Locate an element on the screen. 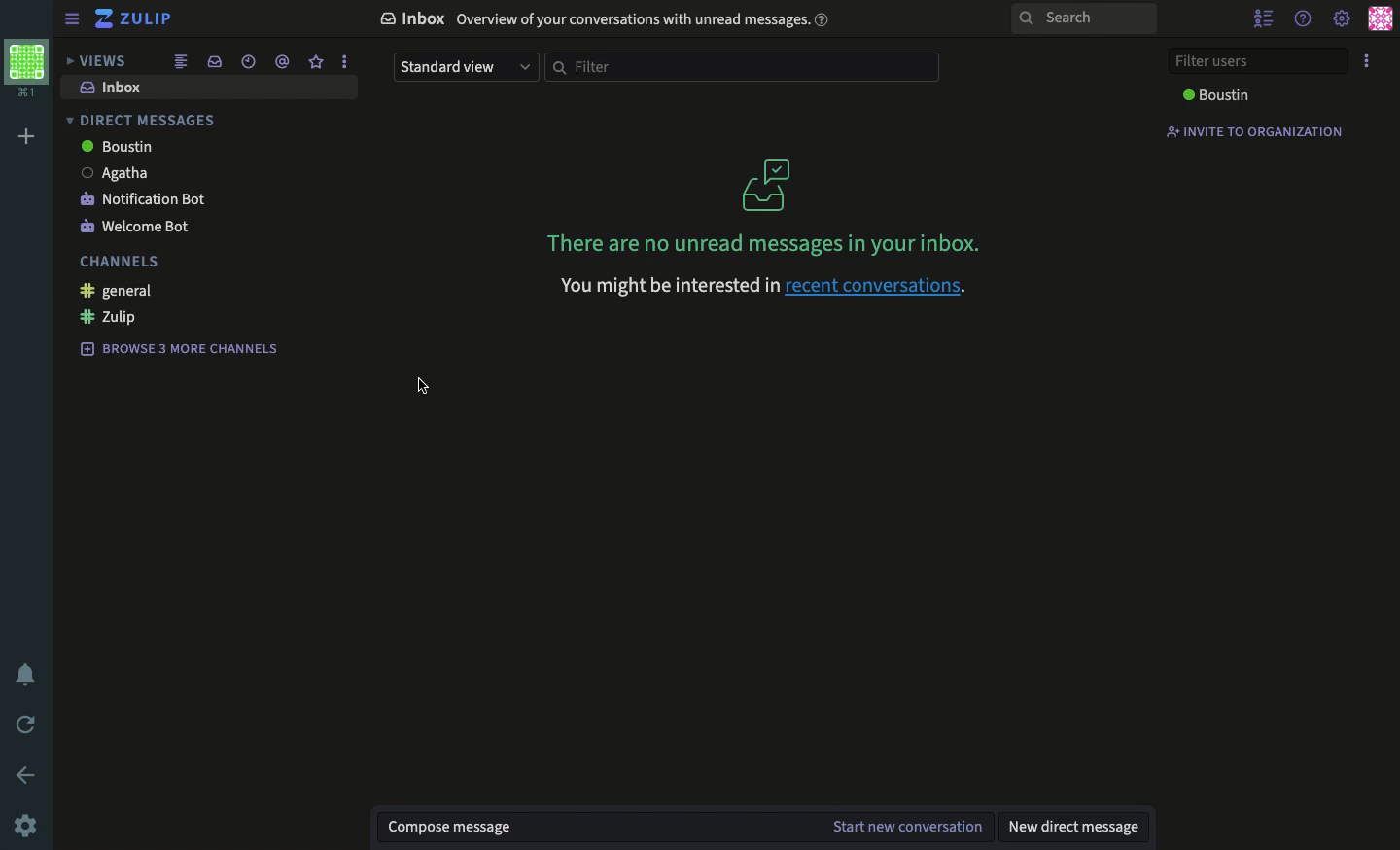   Inbox Overview of your conversations with unread messages. is located at coordinates (605, 20).